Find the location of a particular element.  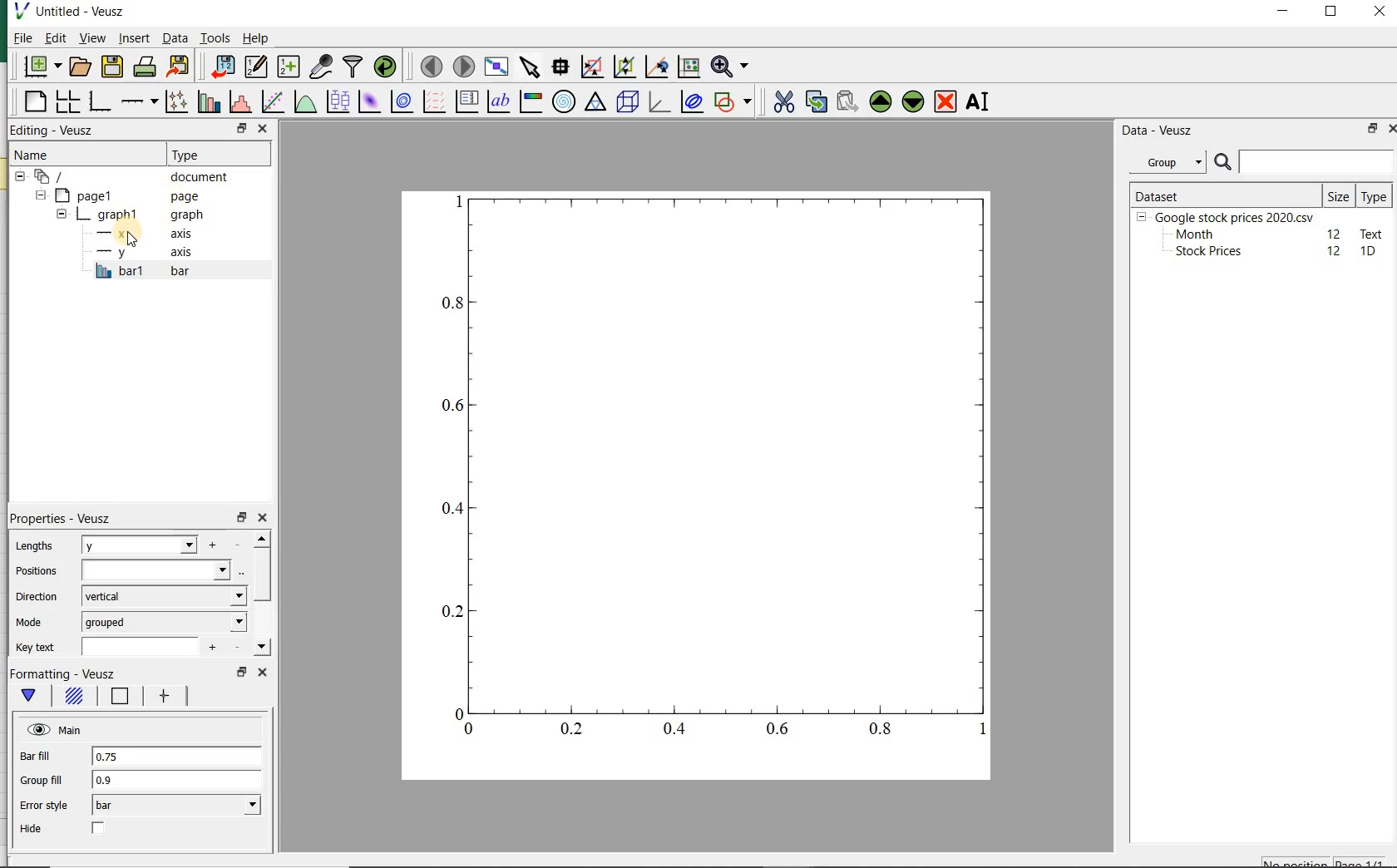

view plot full screen is located at coordinates (496, 67).